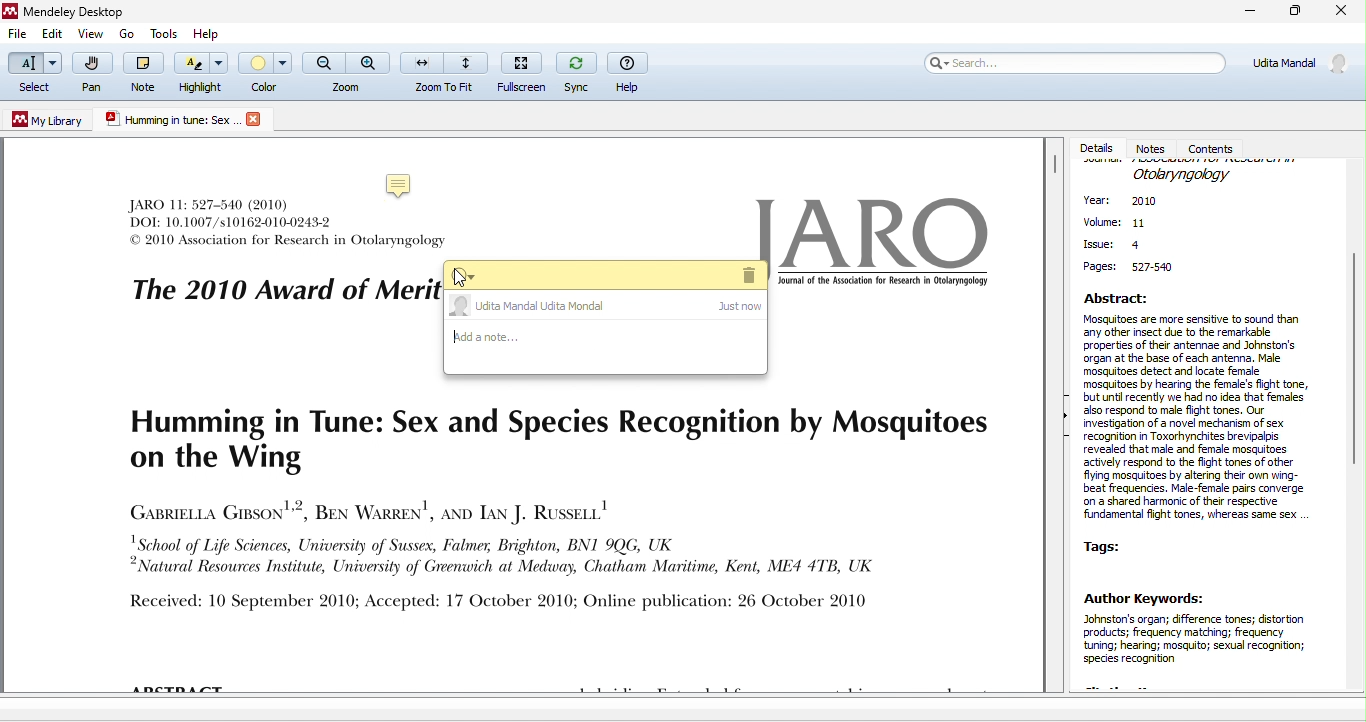 This screenshot has width=1366, height=722. What do you see at coordinates (290, 241) in the screenshot?
I see `text` at bounding box center [290, 241].